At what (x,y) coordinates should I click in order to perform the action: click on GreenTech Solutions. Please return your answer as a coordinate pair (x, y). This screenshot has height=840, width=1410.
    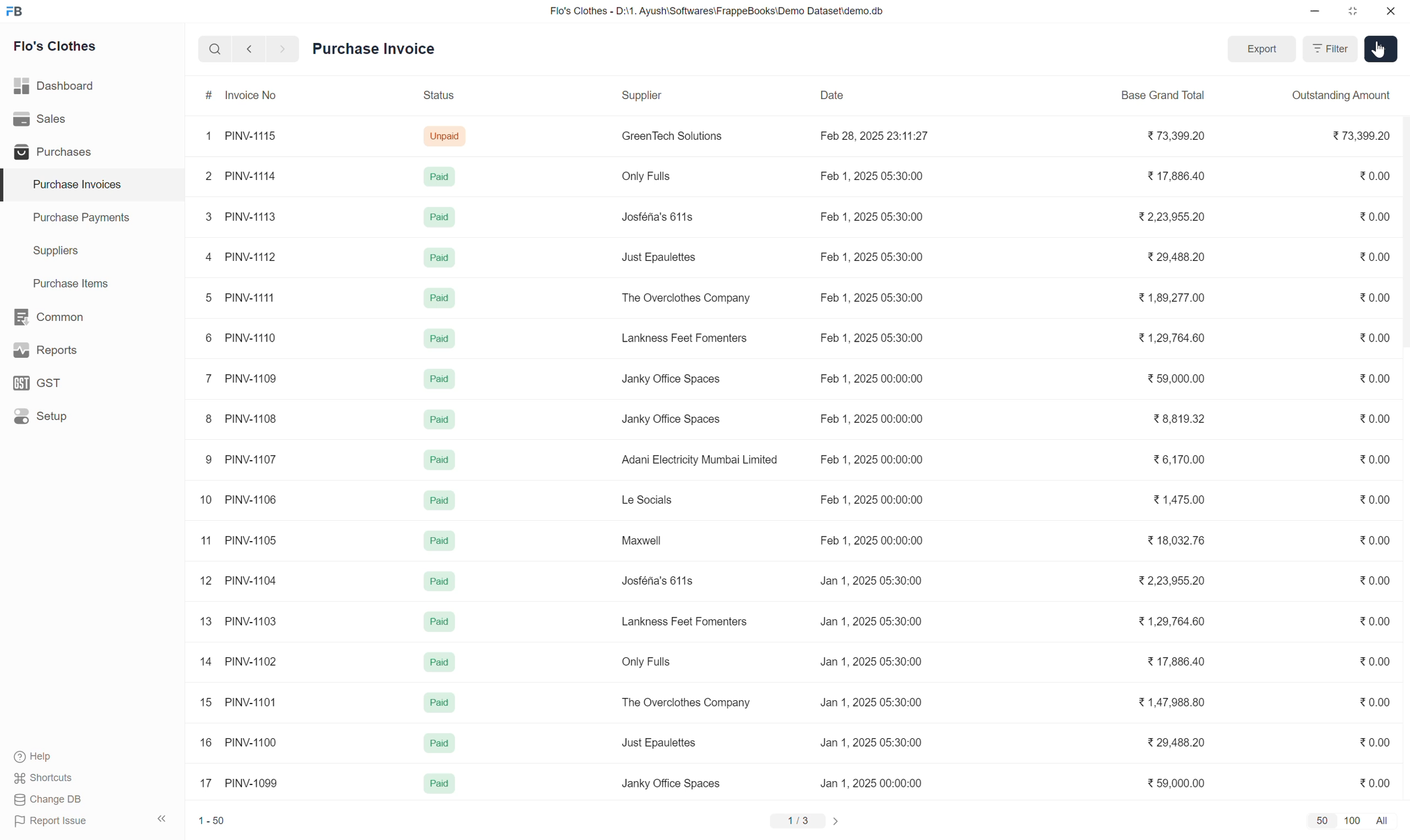
    Looking at the image, I should click on (669, 140).